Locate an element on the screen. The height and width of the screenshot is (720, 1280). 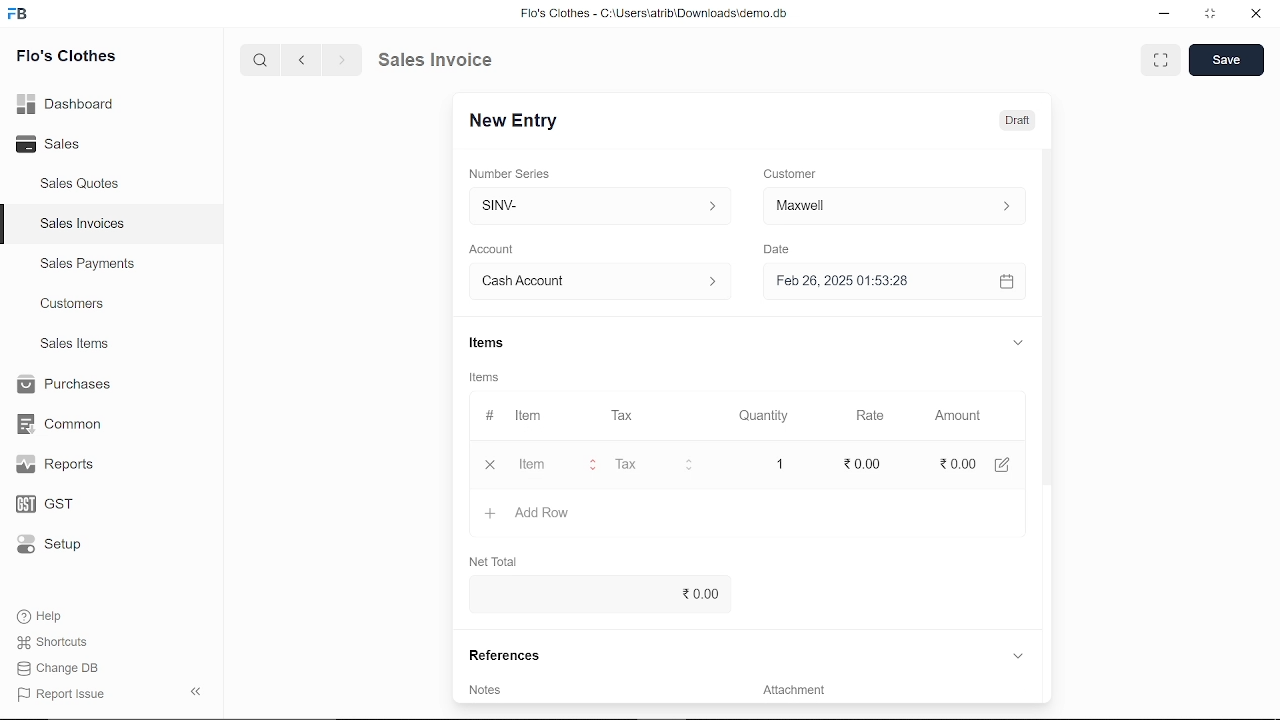
Help is located at coordinates (53, 616).